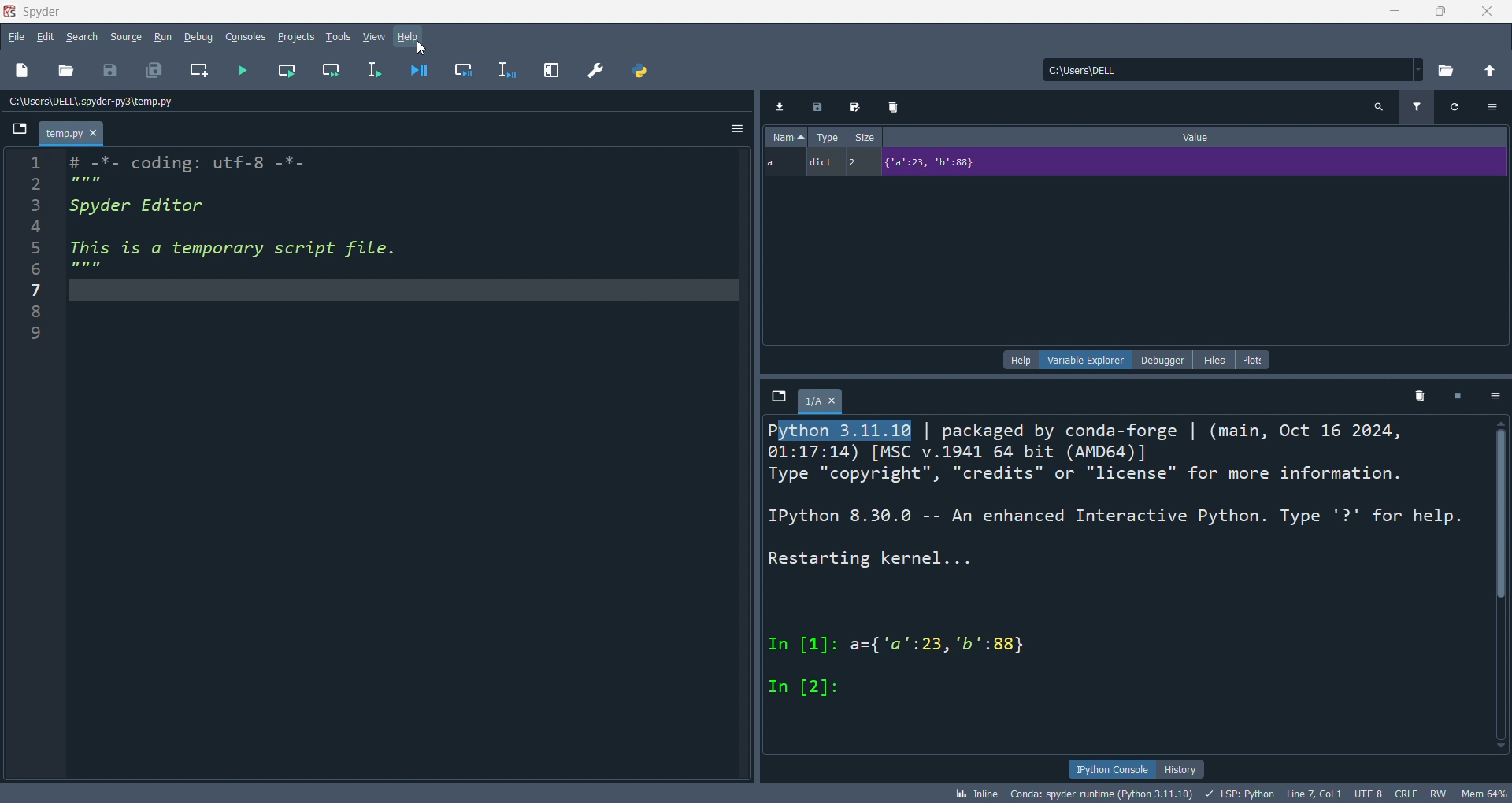 The height and width of the screenshot is (803, 1512). What do you see at coordinates (1378, 108) in the screenshot?
I see `Search` at bounding box center [1378, 108].